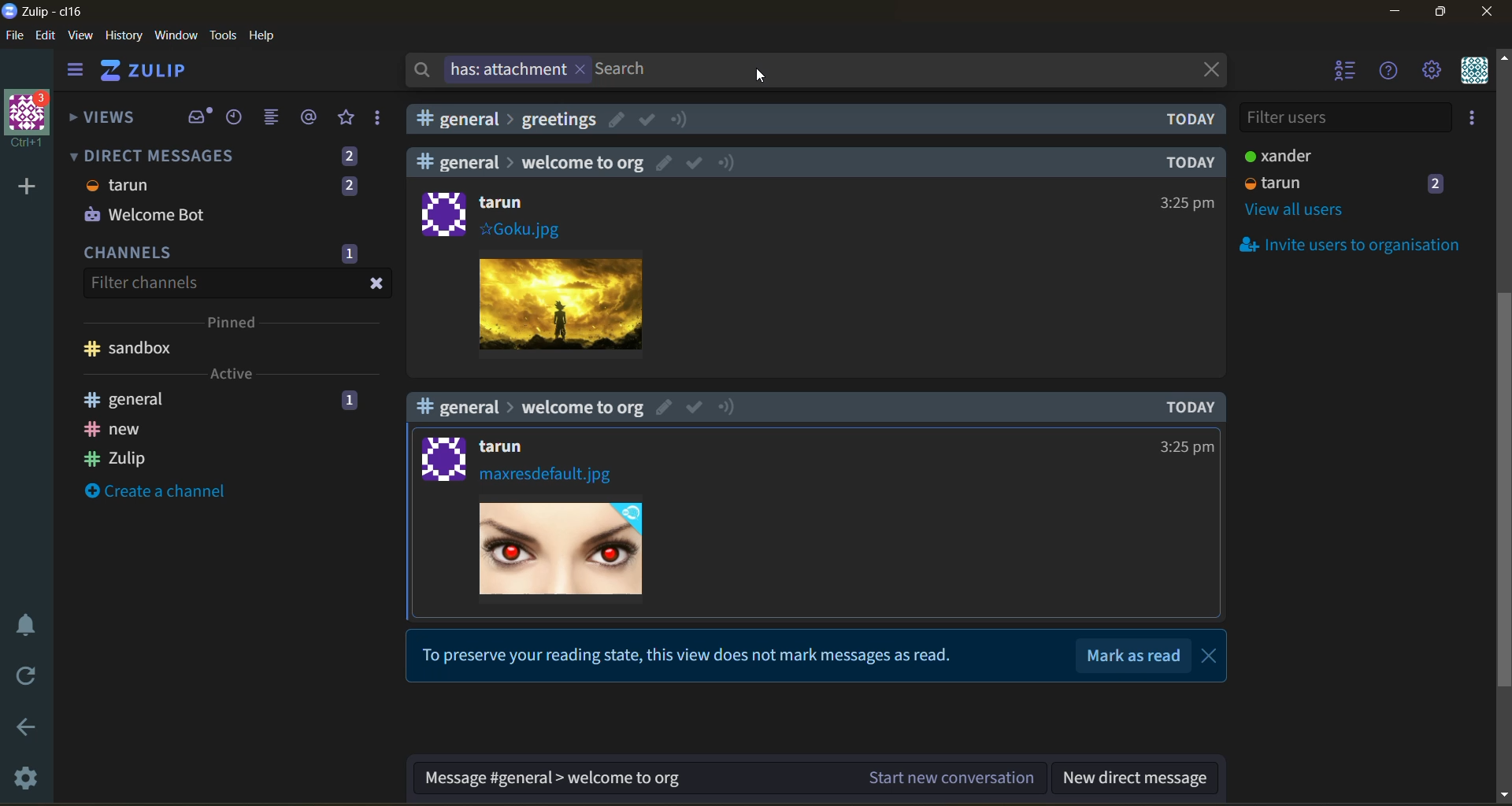 The image size is (1512, 806). I want to click on 2, so click(349, 156).